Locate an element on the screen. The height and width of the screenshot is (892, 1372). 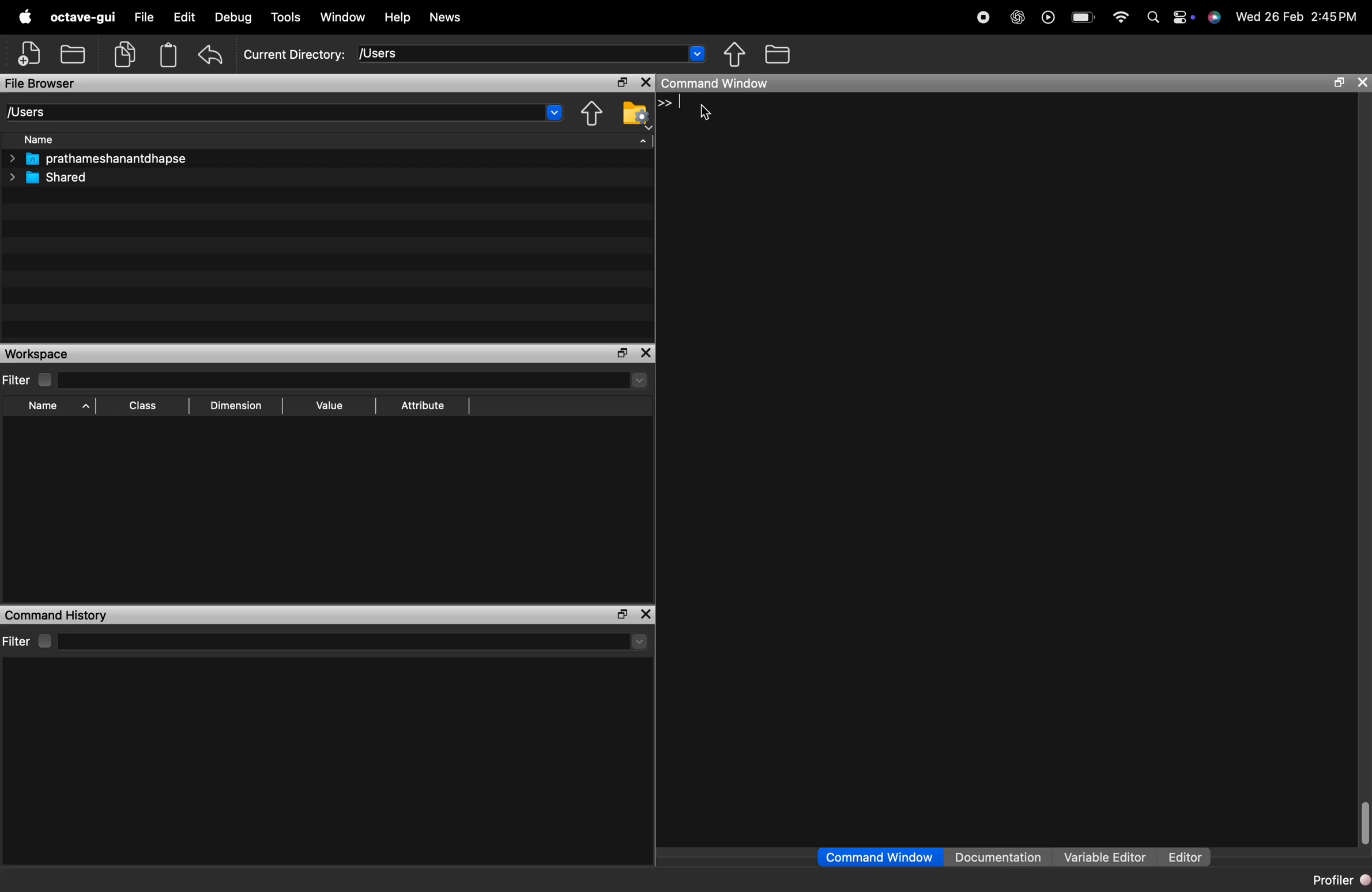
Help is located at coordinates (400, 17).